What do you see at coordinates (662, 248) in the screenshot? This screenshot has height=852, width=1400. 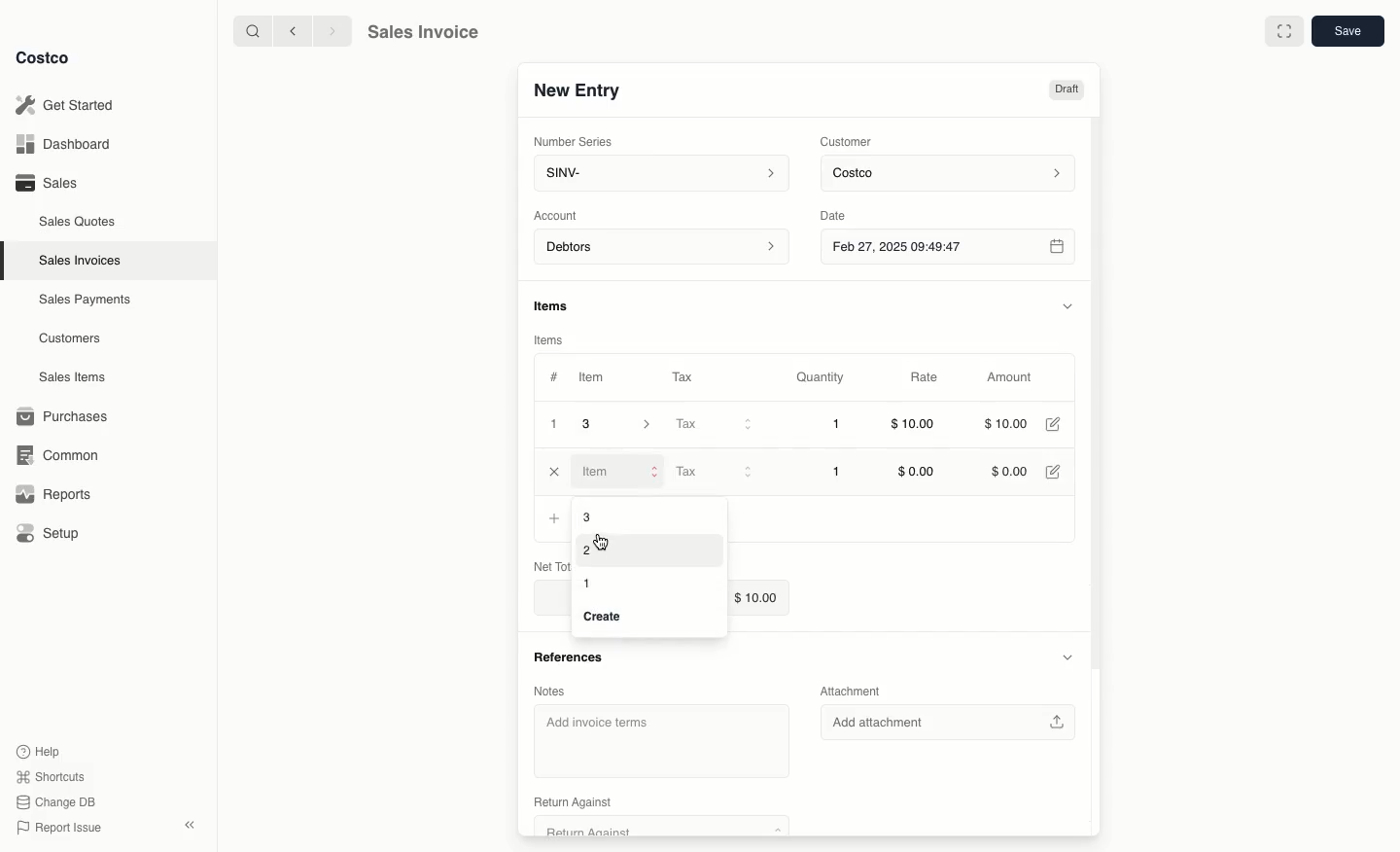 I see `Debtors` at bounding box center [662, 248].